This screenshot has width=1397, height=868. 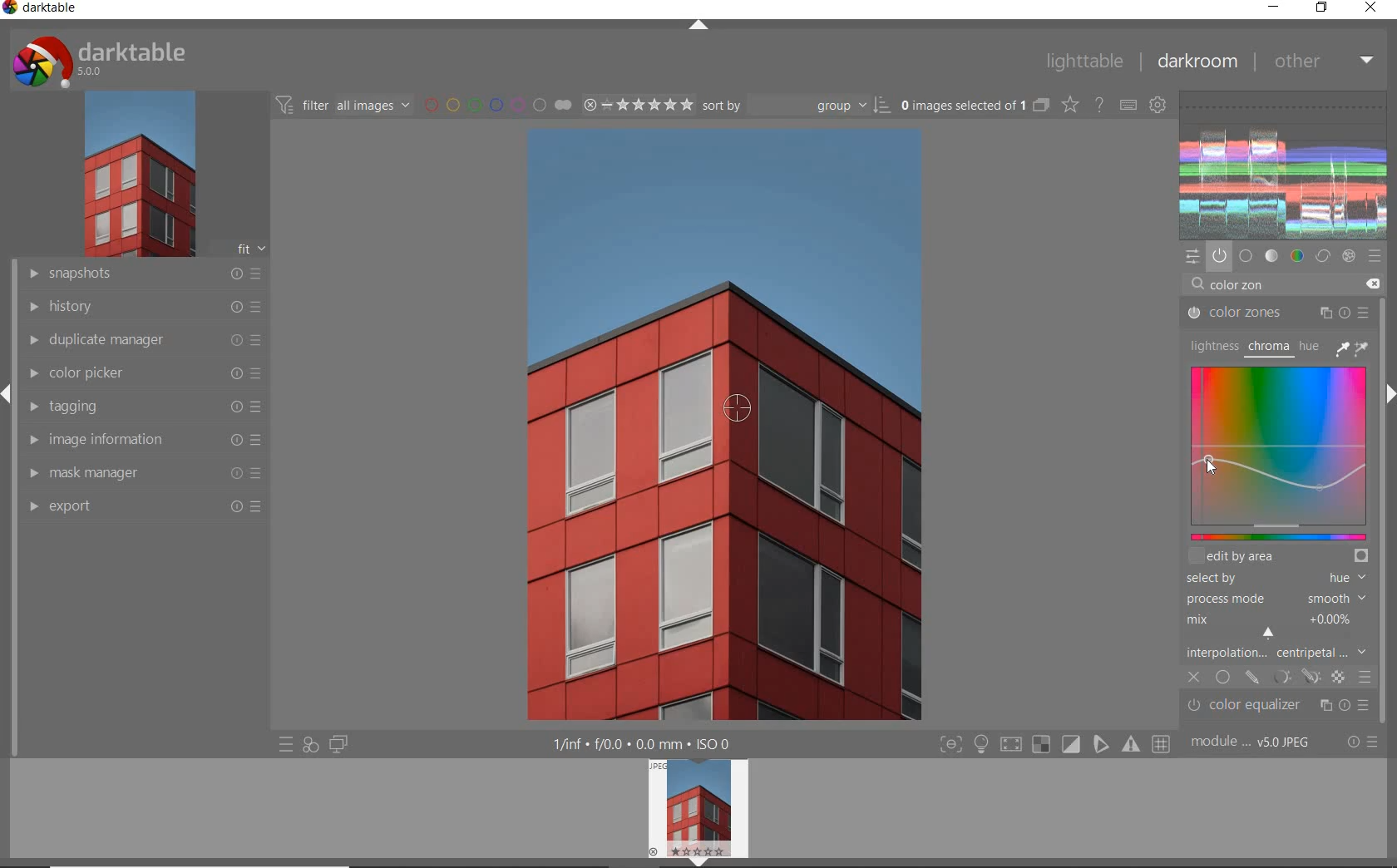 I want to click on presets, so click(x=1375, y=254).